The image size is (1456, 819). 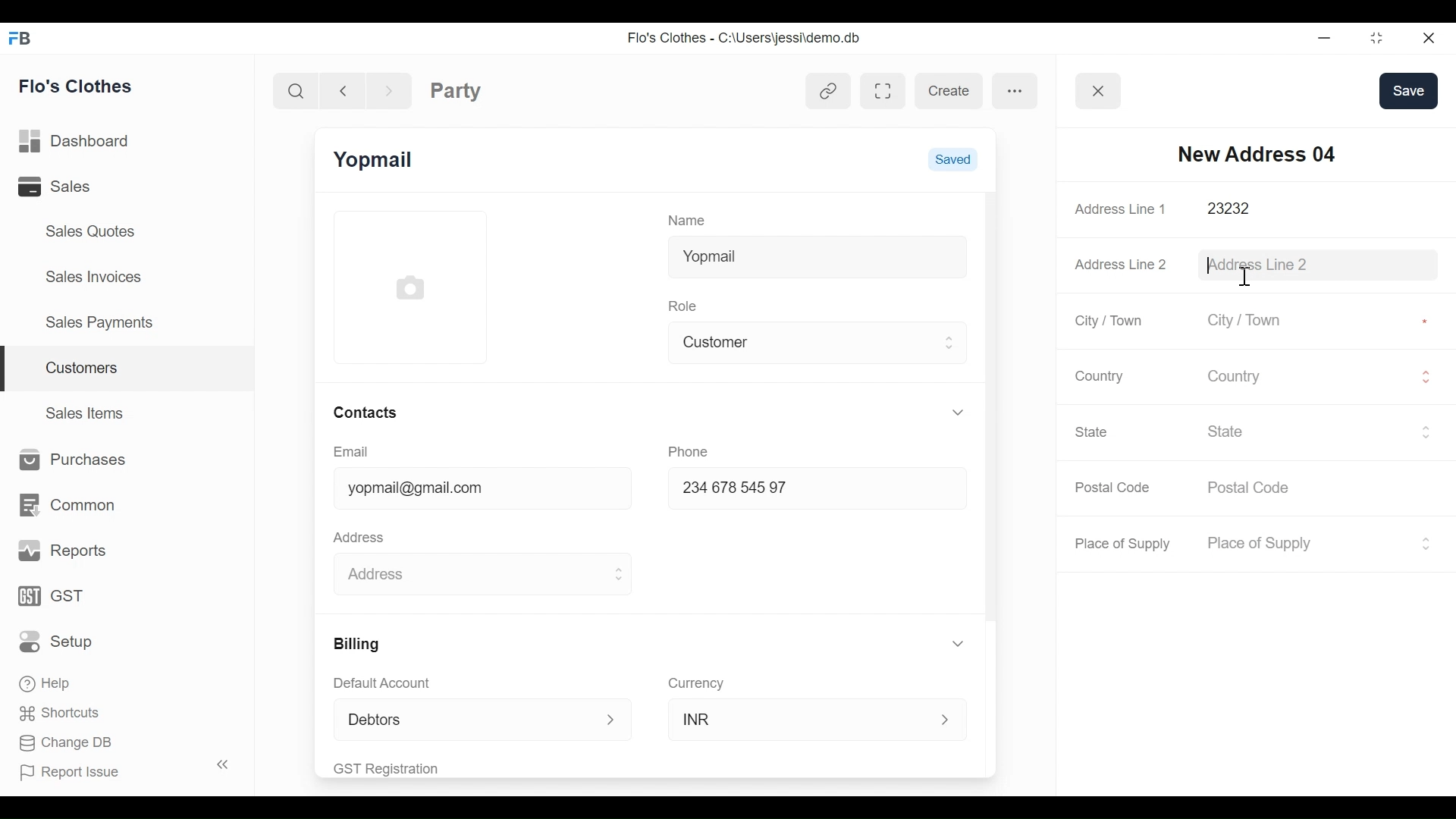 I want to click on GST, so click(x=53, y=598).